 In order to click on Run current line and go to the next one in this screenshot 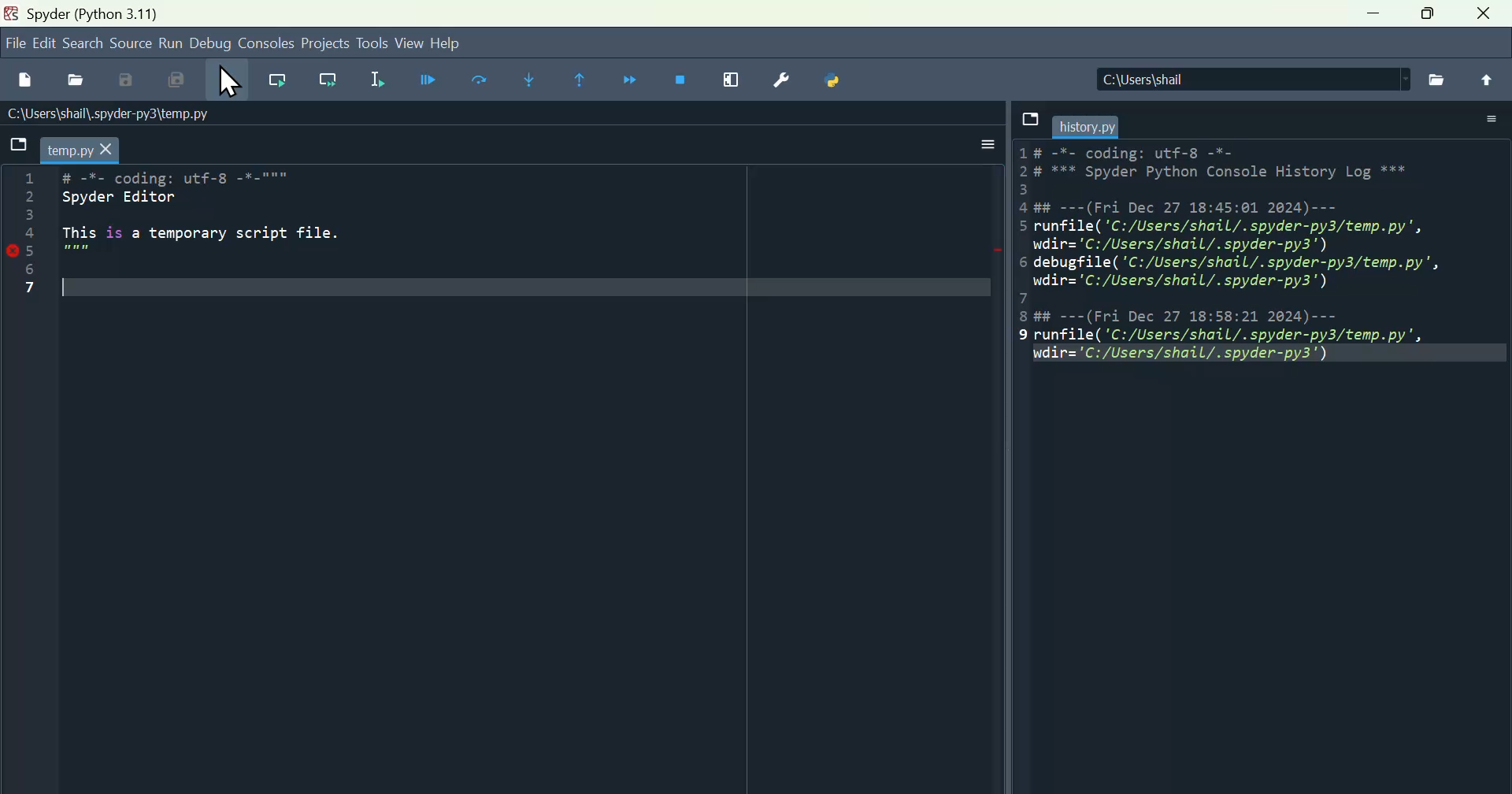, I will do `click(335, 81)`.